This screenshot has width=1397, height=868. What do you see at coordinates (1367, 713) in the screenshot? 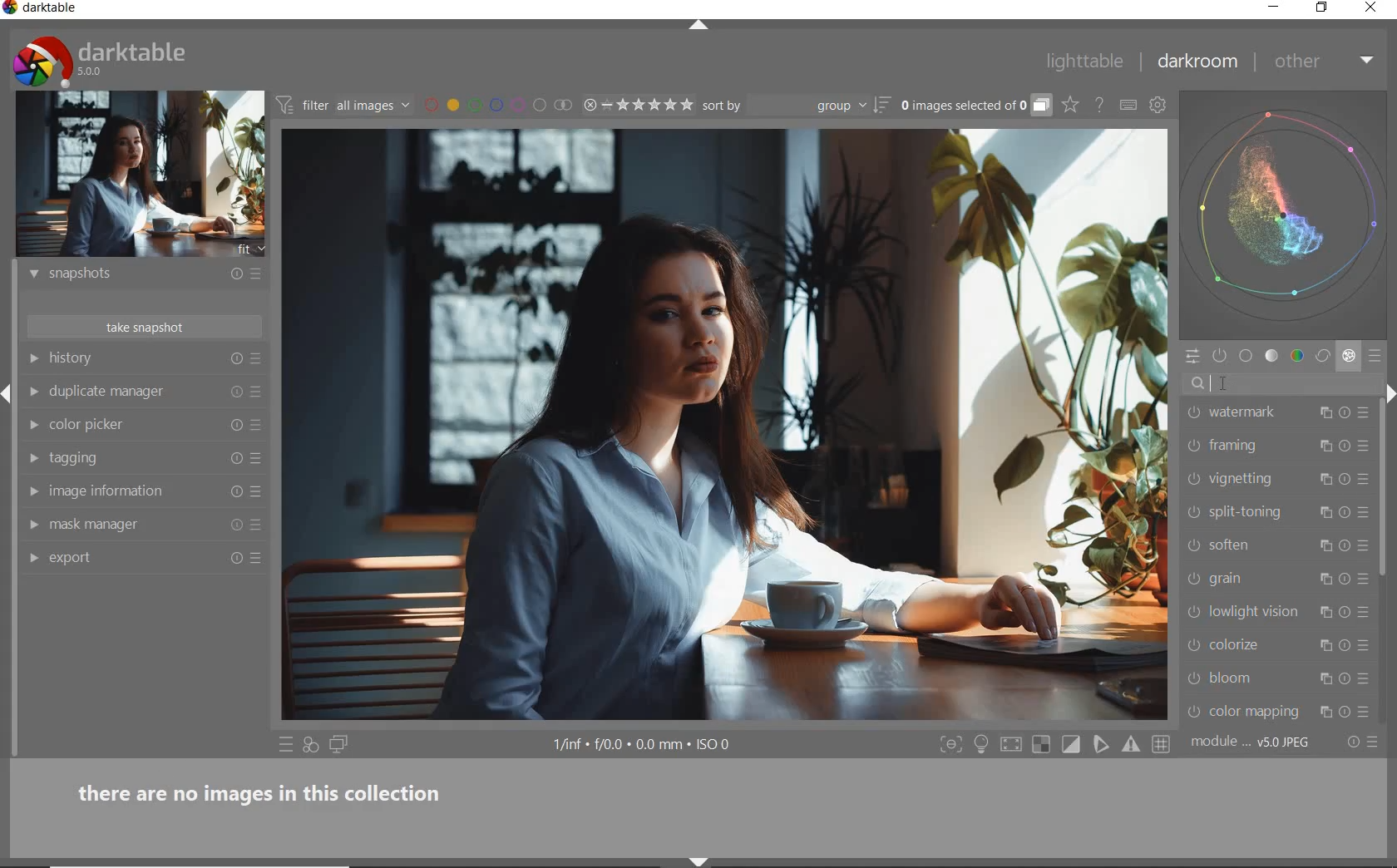
I see `preset and preferences` at bounding box center [1367, 713].